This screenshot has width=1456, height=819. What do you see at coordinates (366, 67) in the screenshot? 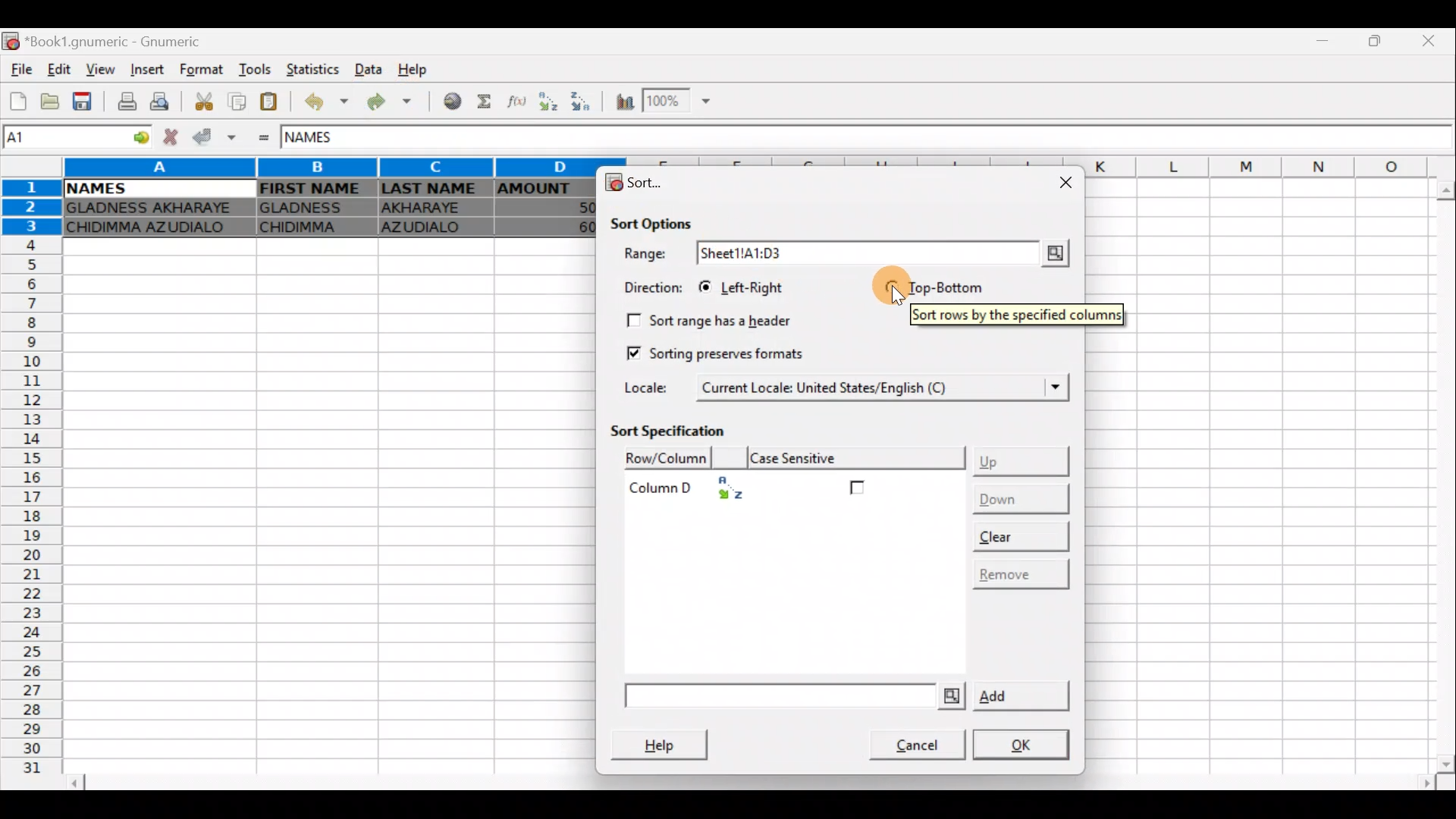
I see `Data` at bounding box center [366, 67].